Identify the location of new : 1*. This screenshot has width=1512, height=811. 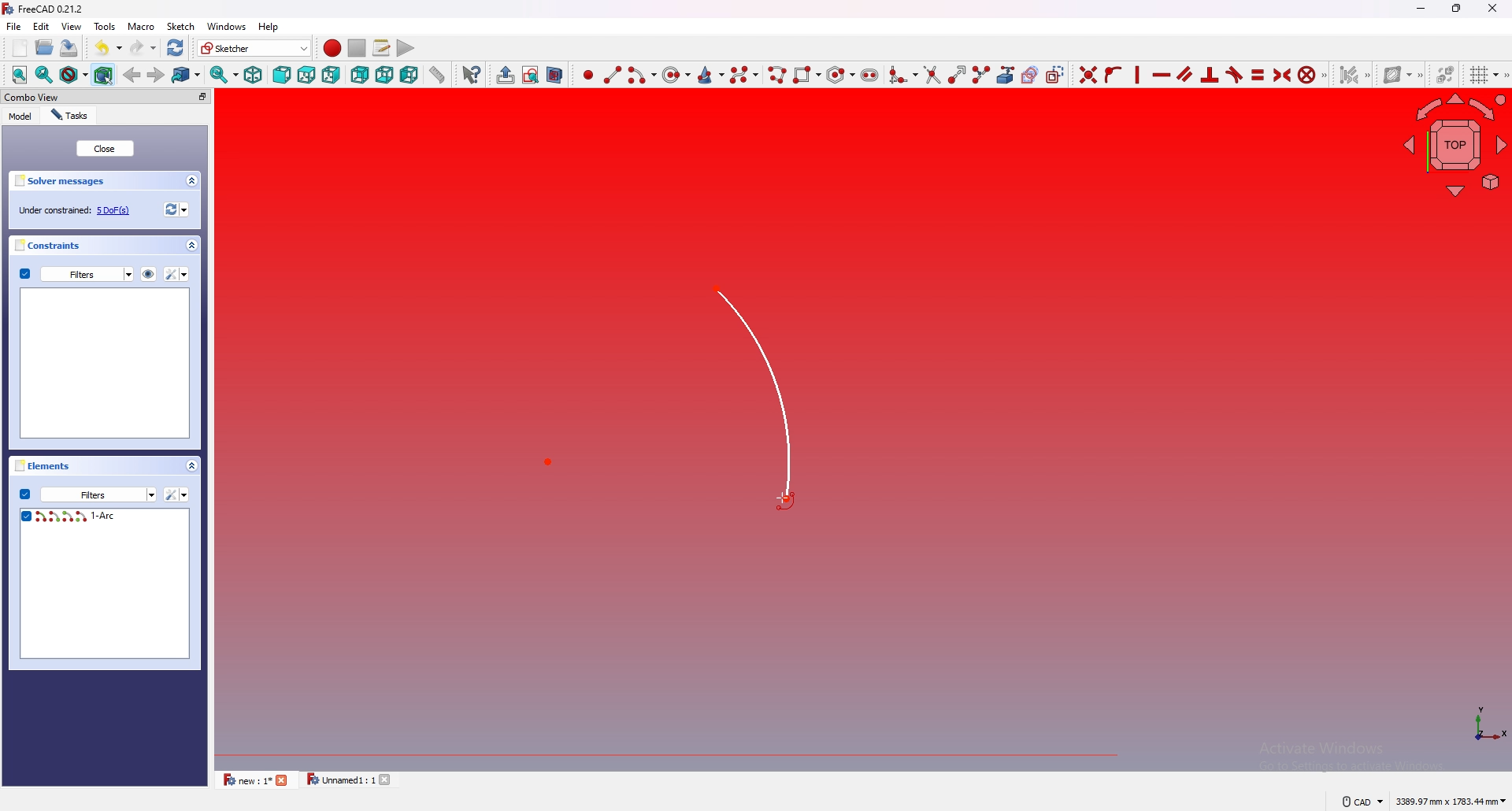
(246, 780).